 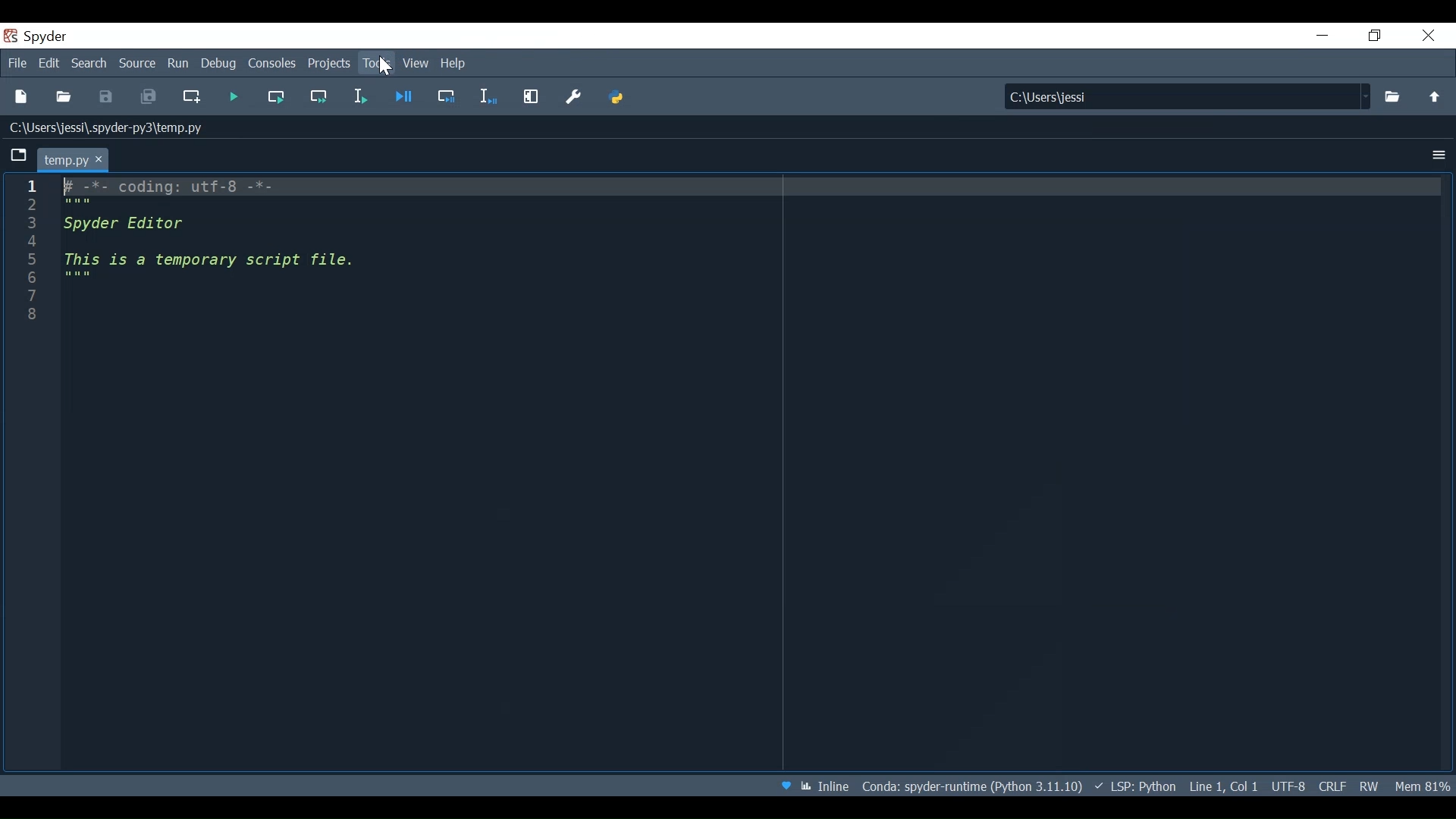 I want to click on Edit, so click(x=51, y=64).